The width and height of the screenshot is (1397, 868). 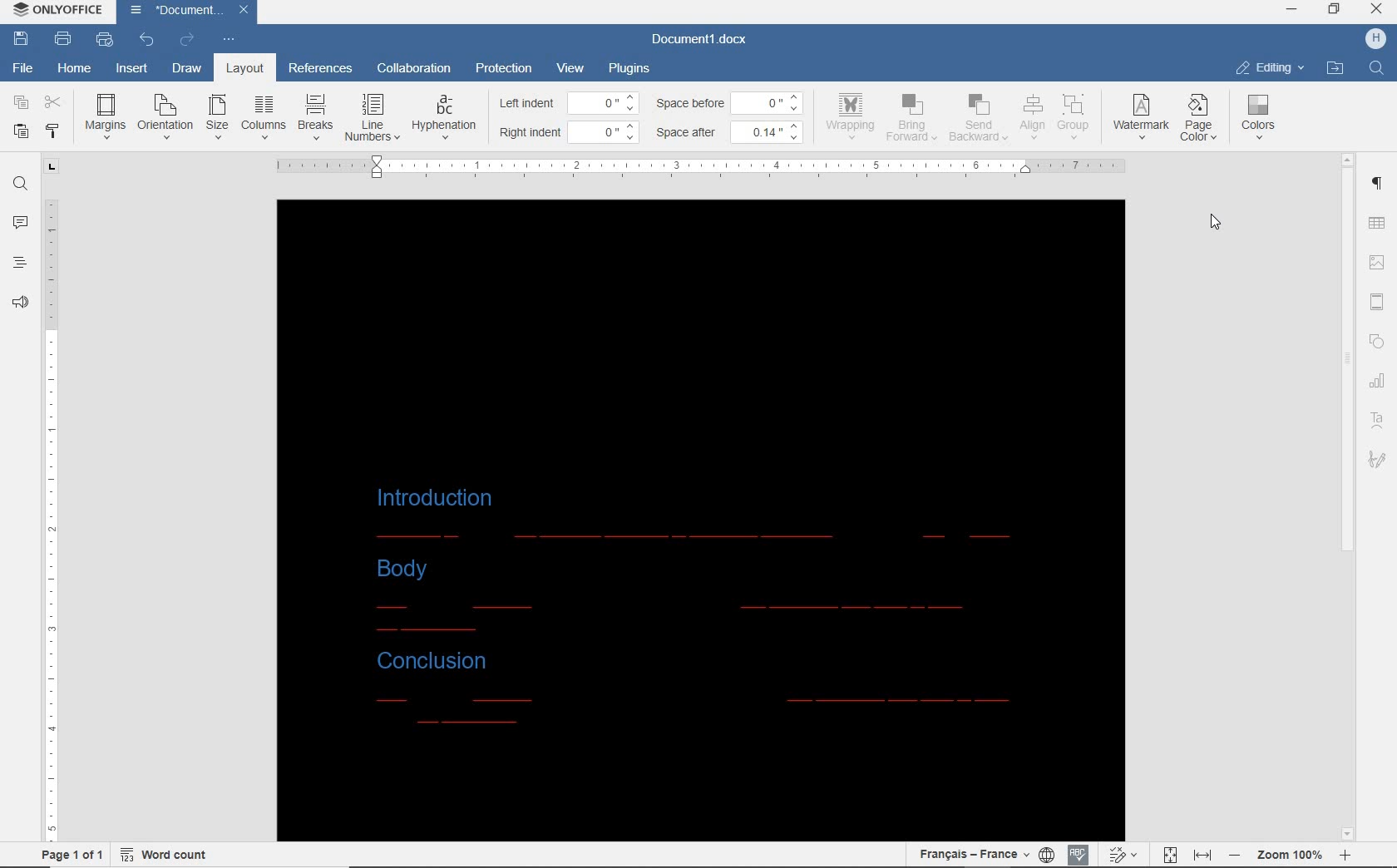 What do you see at coordinates (375, 116) in the screenshot?
I see `line numbers` at bounding box center [375, 116].